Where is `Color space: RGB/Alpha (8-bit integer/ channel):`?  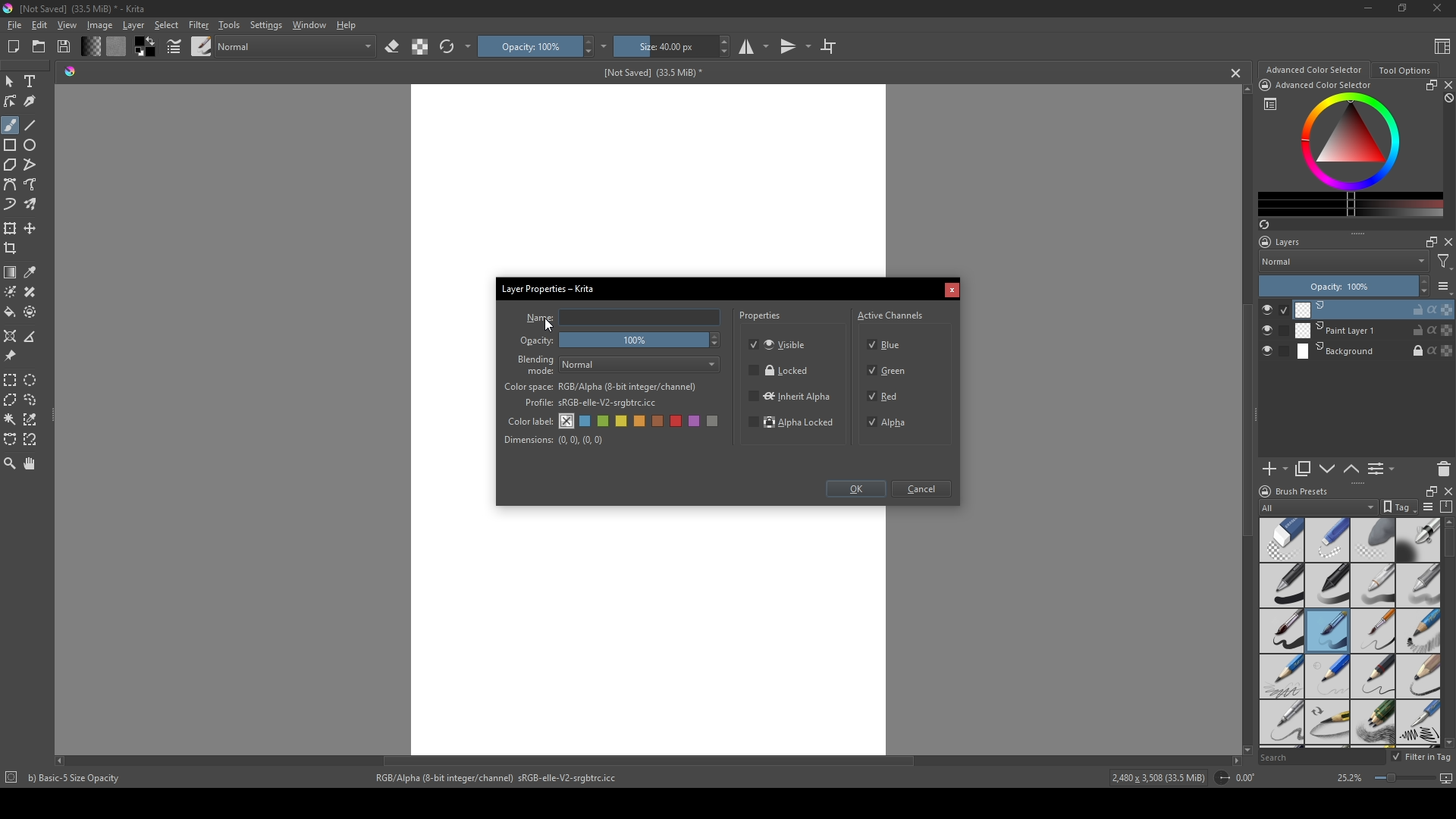 Color space: RGB/Alpha (8-bit integer/ channel): is located at coordinates (601, 387).